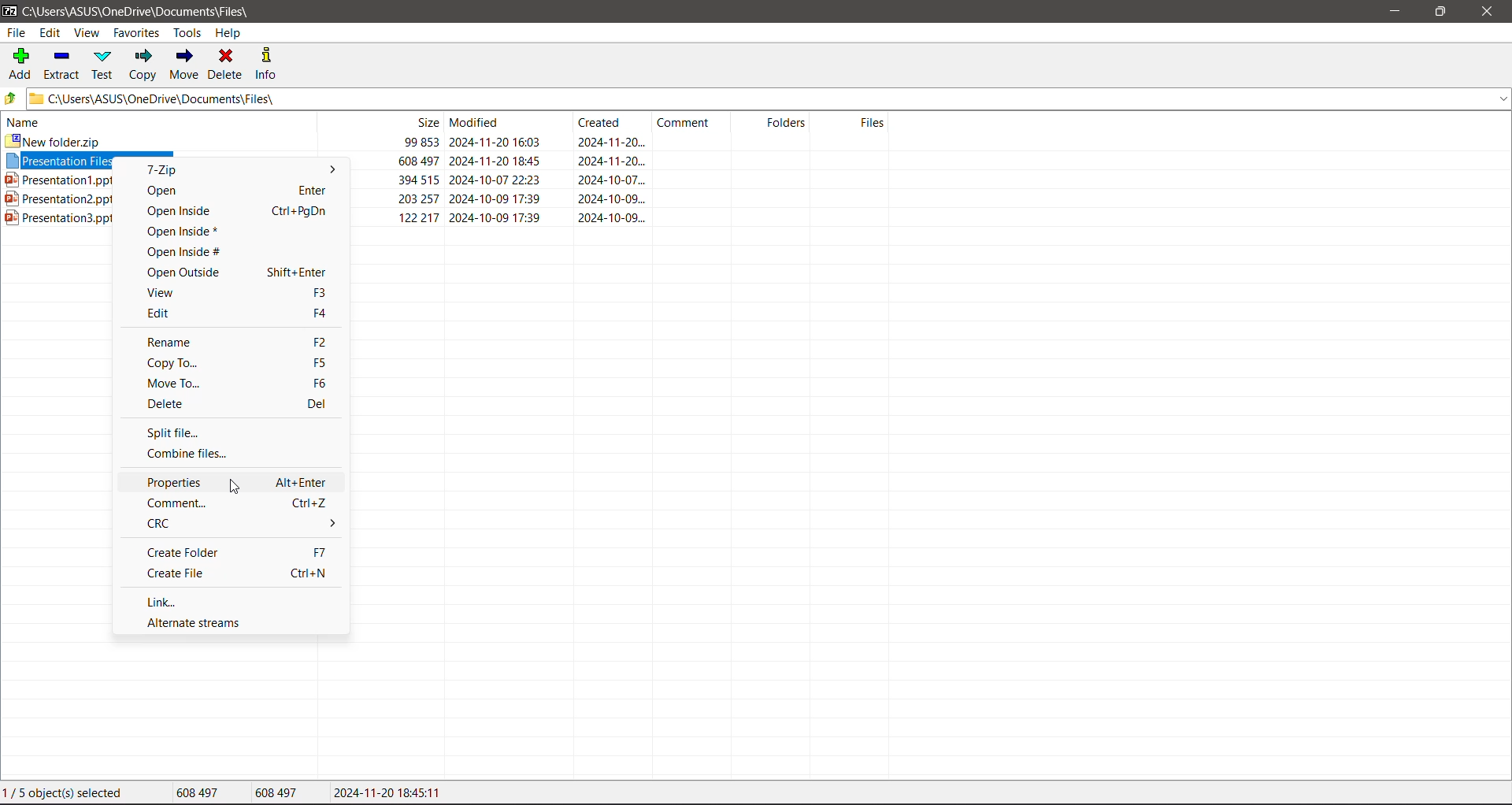 This screenshot has height=805, width=1512. What do you see at coordinates (57, 220) in the screenshot?
I see `Presentation3.pptx 122217 2024-10-09 17:39 2024-10-09...` at bounding box center [57, 220].